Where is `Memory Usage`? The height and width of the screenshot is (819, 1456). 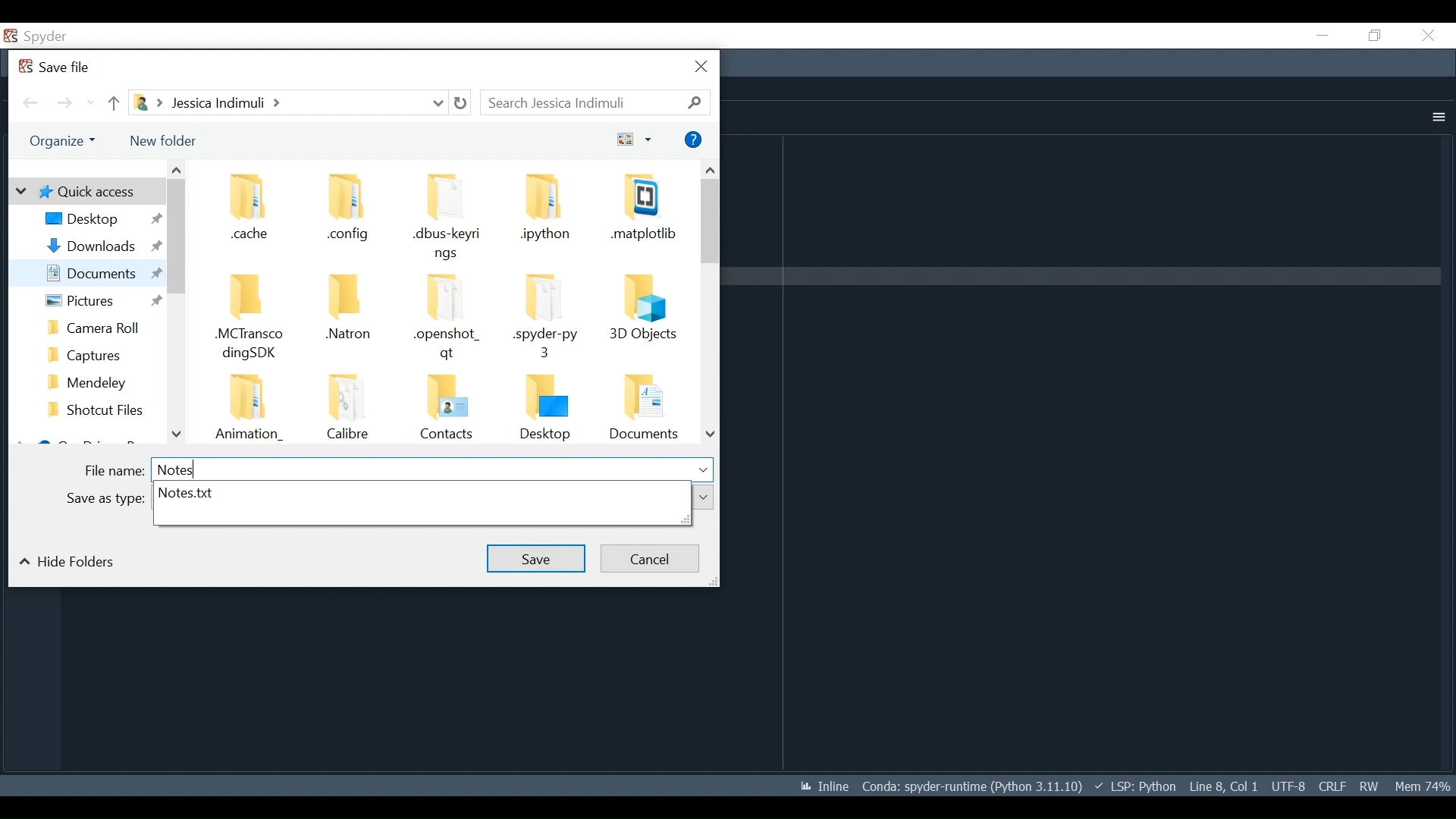 Memory Usage is located at coordinates (1421, 785).